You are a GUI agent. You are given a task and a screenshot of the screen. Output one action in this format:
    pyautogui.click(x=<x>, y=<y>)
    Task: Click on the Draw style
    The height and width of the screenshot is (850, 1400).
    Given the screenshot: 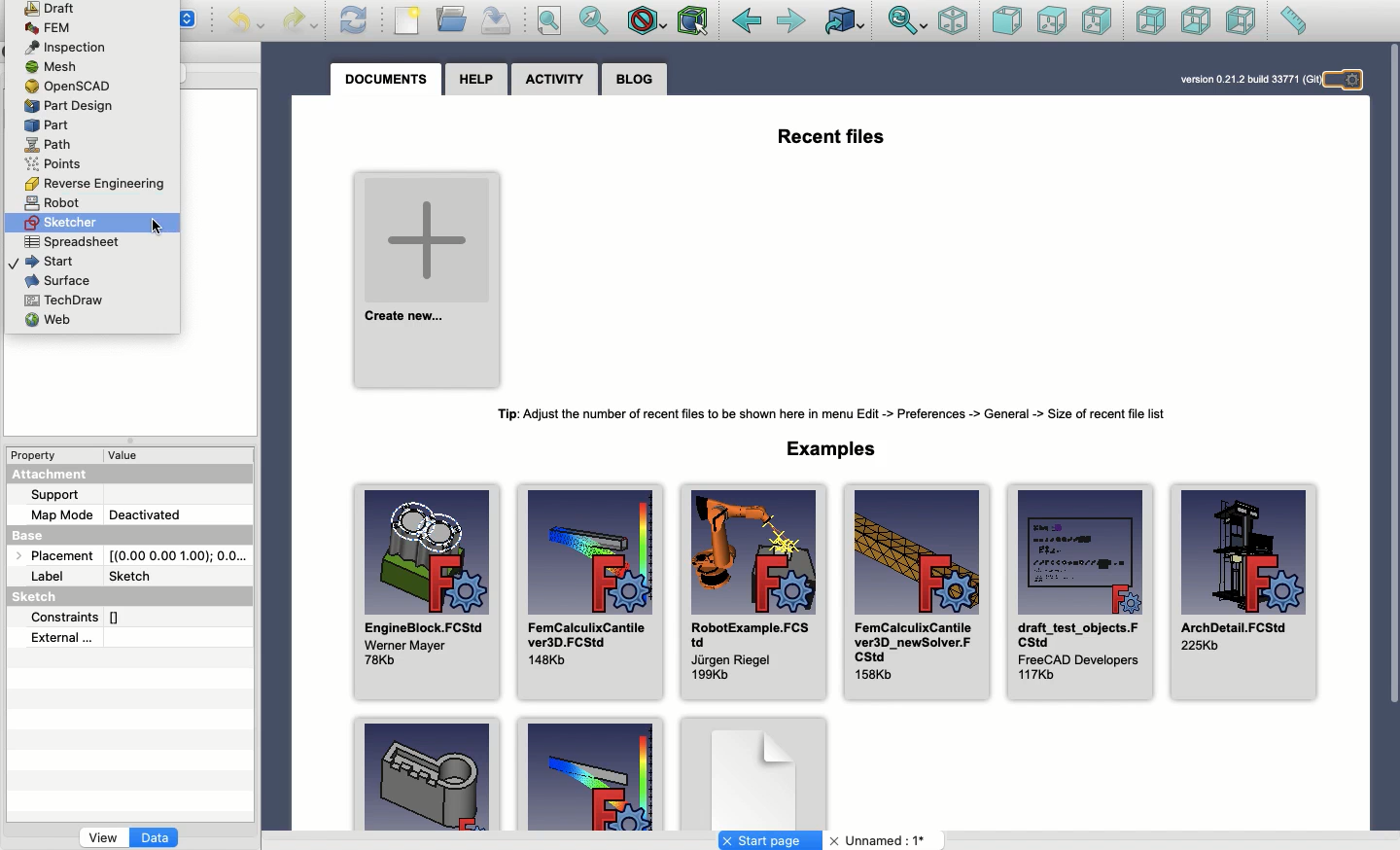 What is the action you would take?
    pyautogui.click(x=646, y=23)
    